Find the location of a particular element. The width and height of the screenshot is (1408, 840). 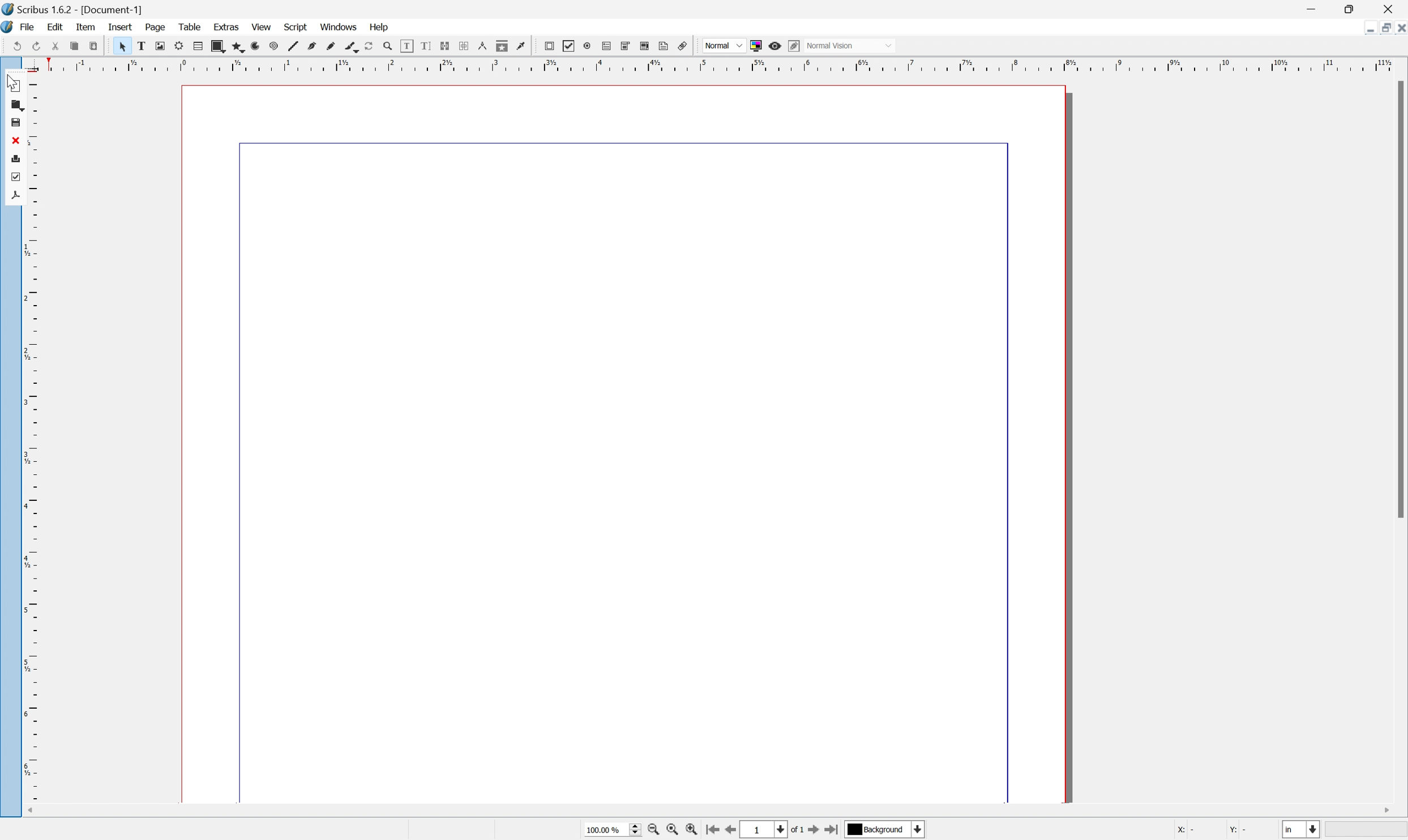

page is located at coordinates (156, 27).